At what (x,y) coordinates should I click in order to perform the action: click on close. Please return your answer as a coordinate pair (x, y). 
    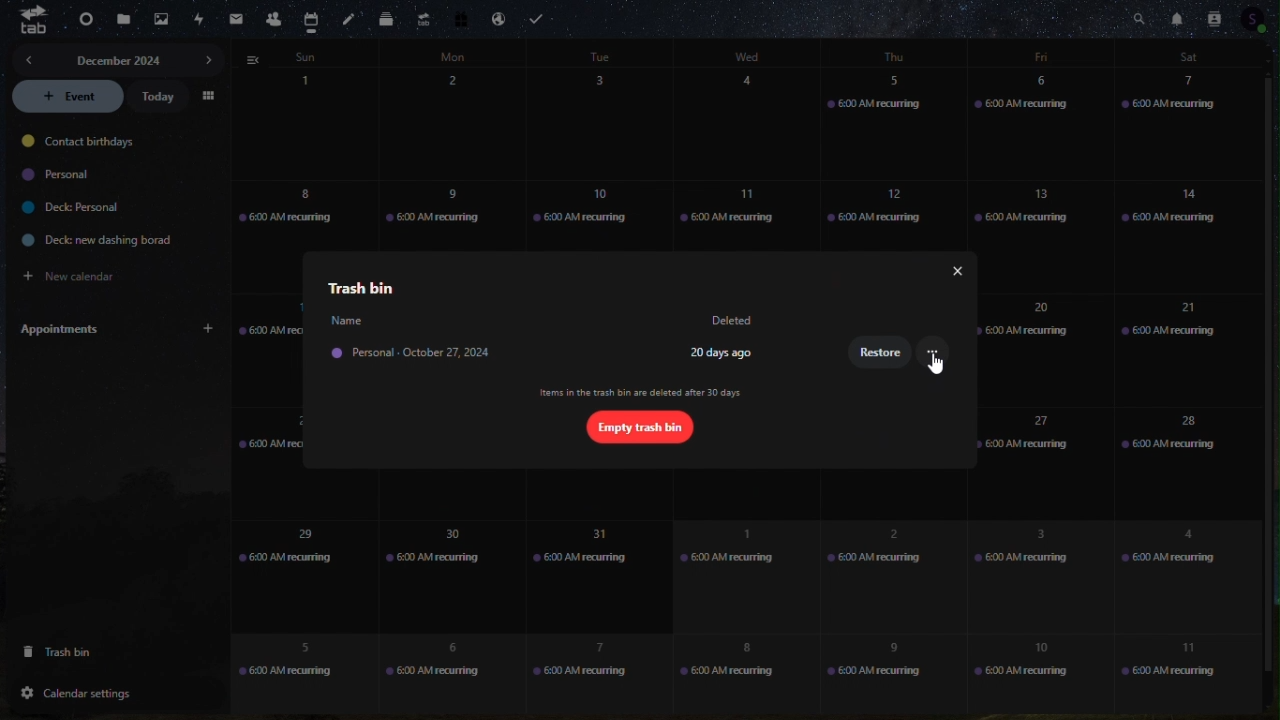
    Looking at the image, I should click on (951, 271).